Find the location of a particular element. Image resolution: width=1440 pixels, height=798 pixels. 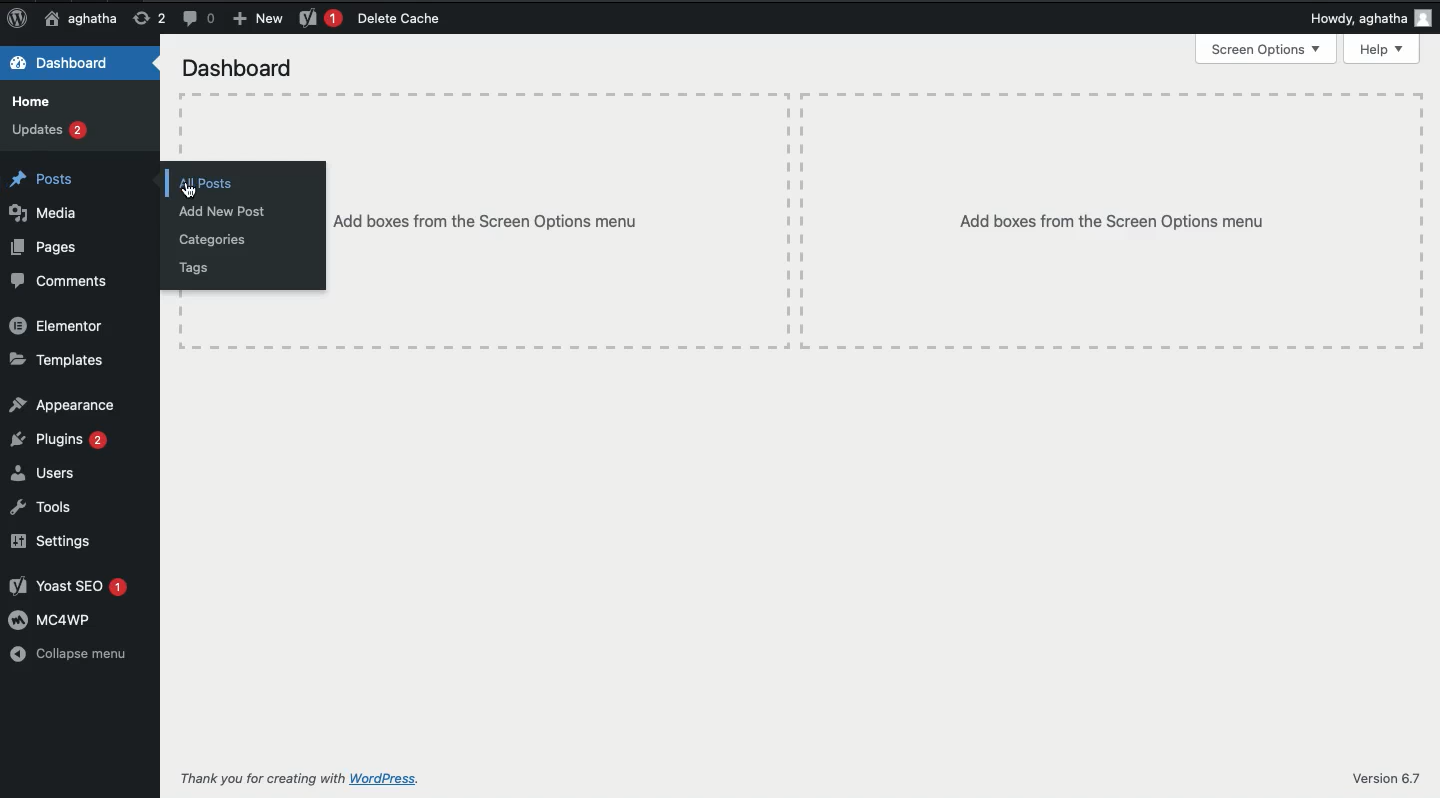

Elementor is located at coordinates (56, 323).